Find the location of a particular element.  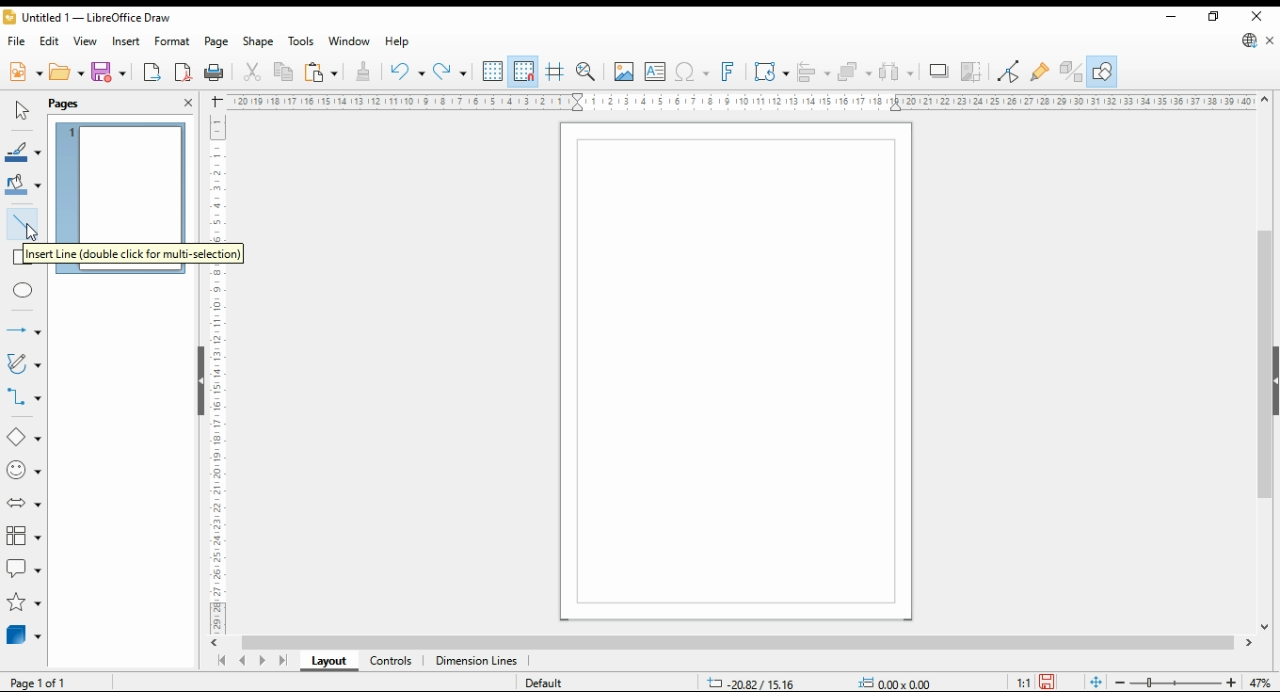

format is located at coordinates (173, 41).